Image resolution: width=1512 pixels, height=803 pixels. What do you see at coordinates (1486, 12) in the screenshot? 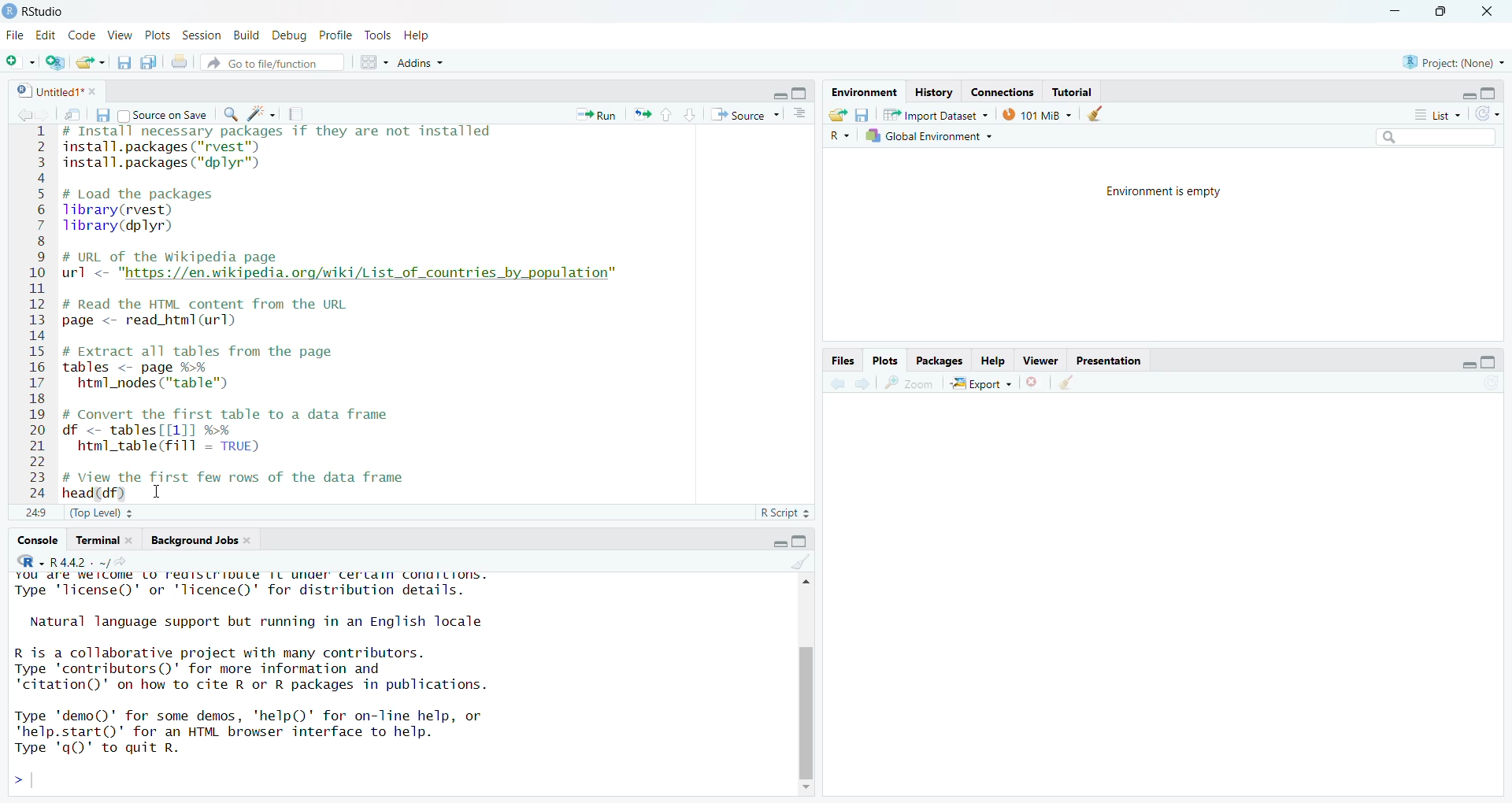
I see `close` at bounding box center [1486, 12].